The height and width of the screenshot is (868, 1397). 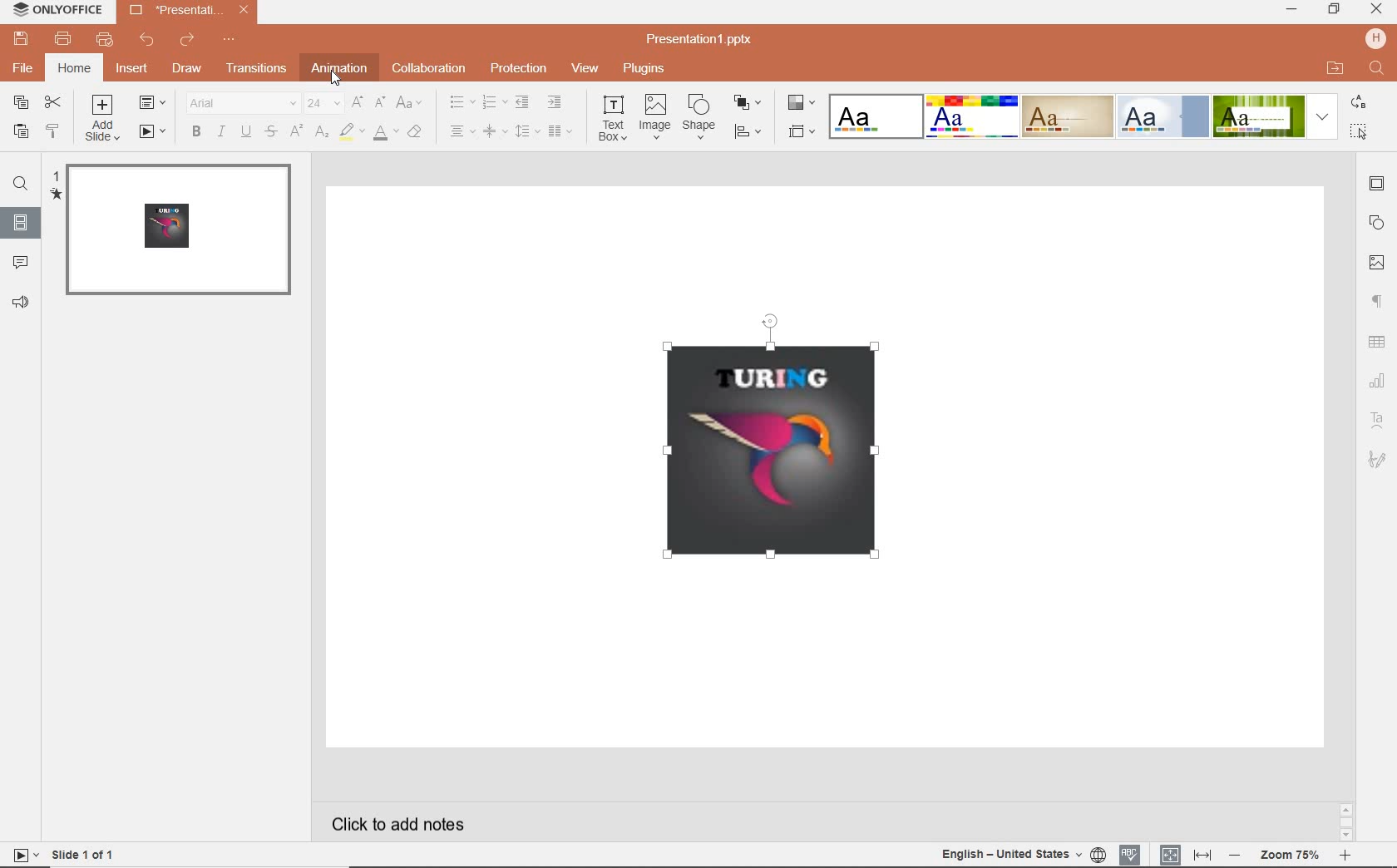 I want to click on slide settings, so click(x=1377, y=184).